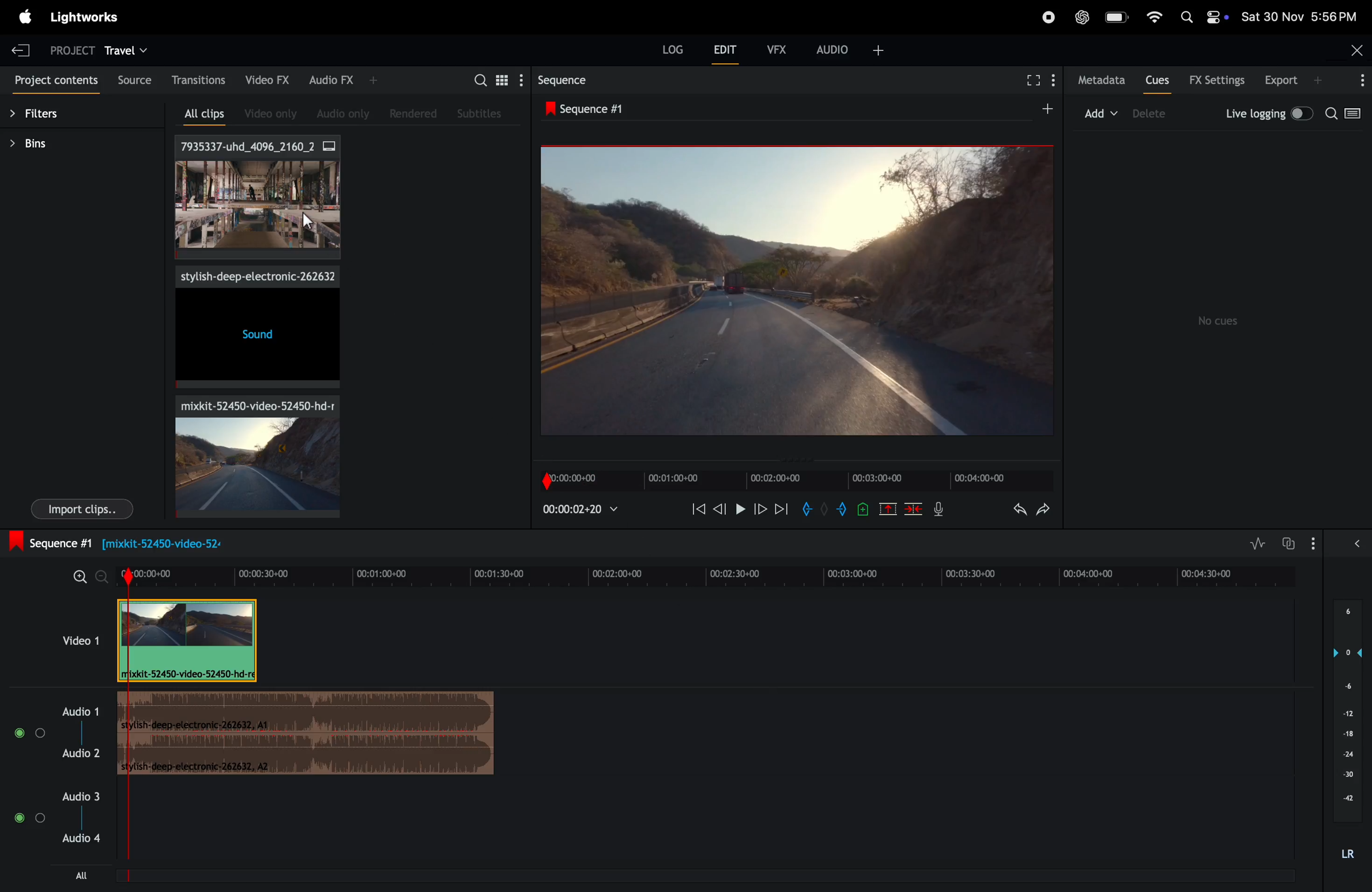  What do you see at coordinates (589, 110) in the screenshot?
I see `sequence #1` at bounding box center [589, 110].